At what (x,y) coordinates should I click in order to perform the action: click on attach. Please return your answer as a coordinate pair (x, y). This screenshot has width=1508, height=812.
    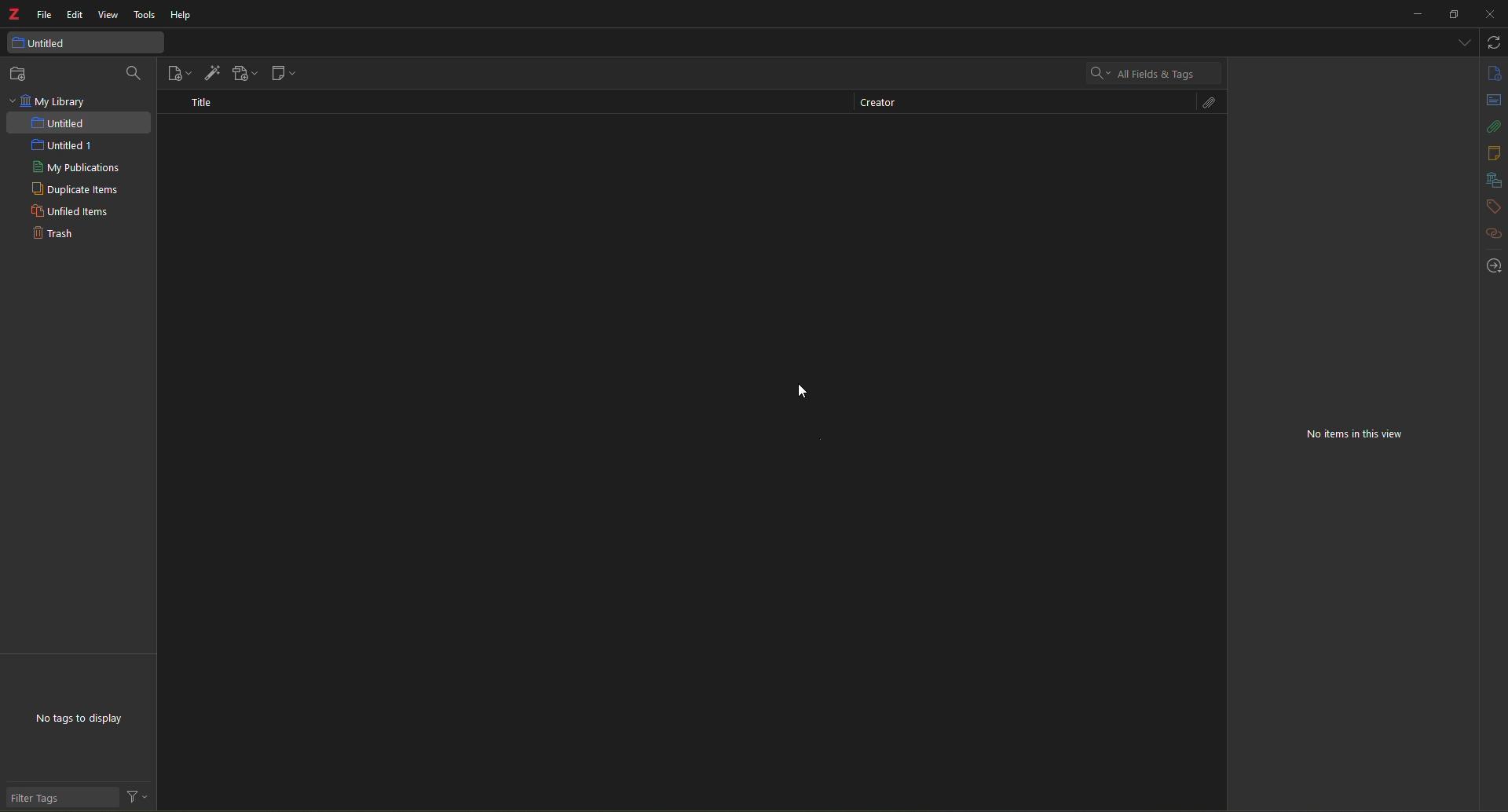
    Looking at the image, I should click on (1199, 101).